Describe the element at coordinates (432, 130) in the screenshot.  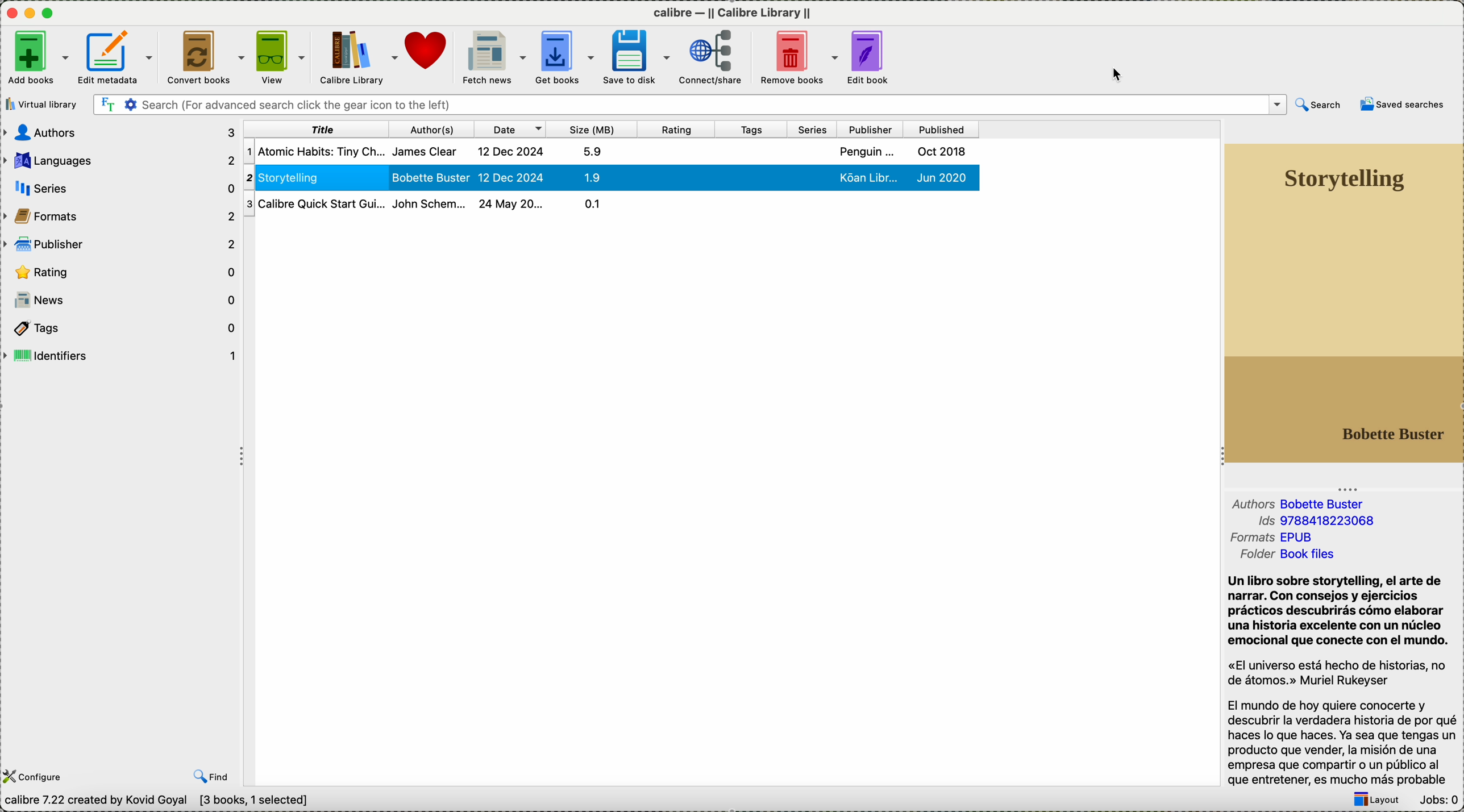
I see `author` at that location.